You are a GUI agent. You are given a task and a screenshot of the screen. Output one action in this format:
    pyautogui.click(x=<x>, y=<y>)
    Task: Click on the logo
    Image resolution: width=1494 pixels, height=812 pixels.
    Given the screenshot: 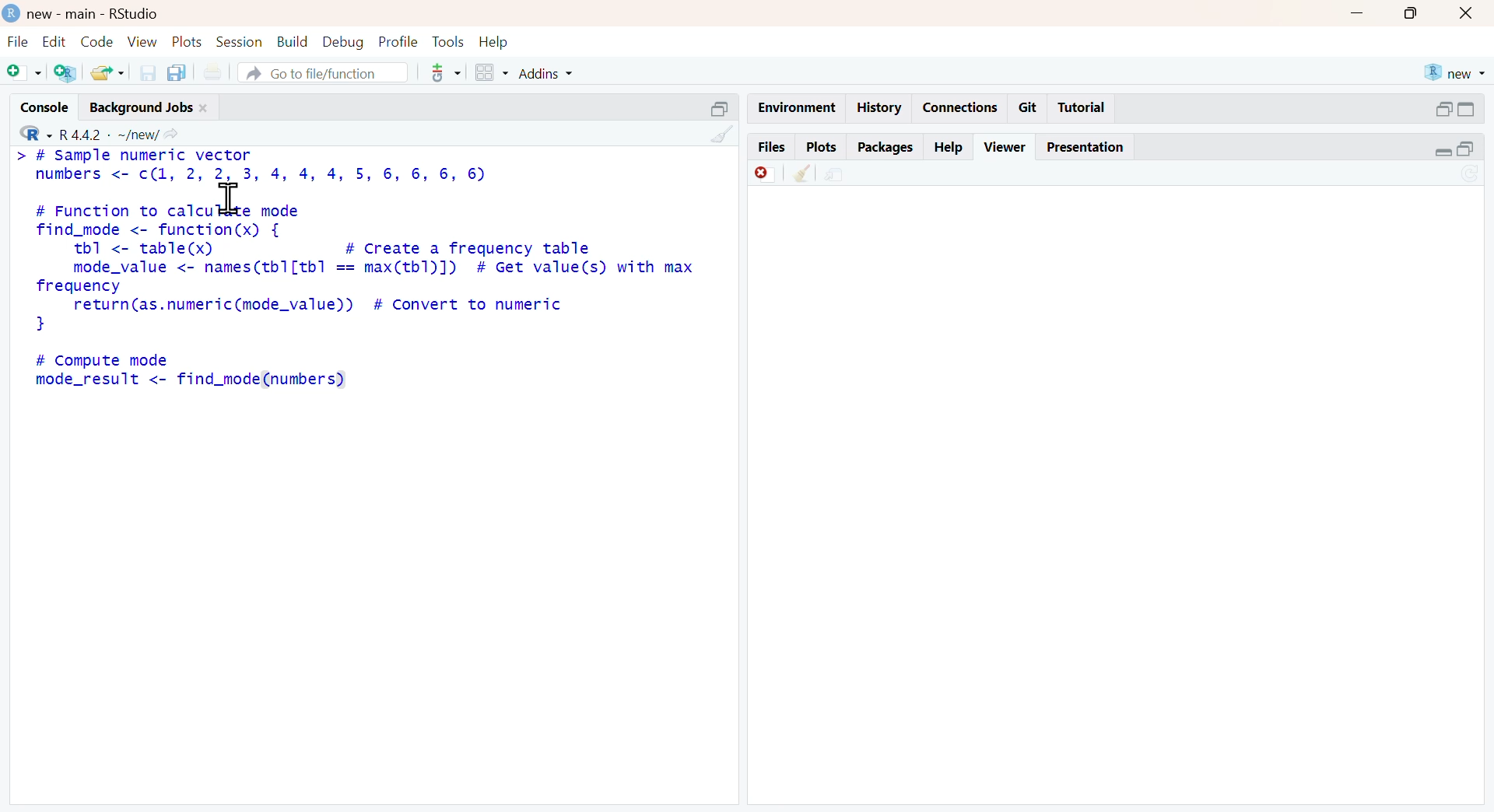 What is the action you would take?
    pyautogui.click(x=13, y=12)
    